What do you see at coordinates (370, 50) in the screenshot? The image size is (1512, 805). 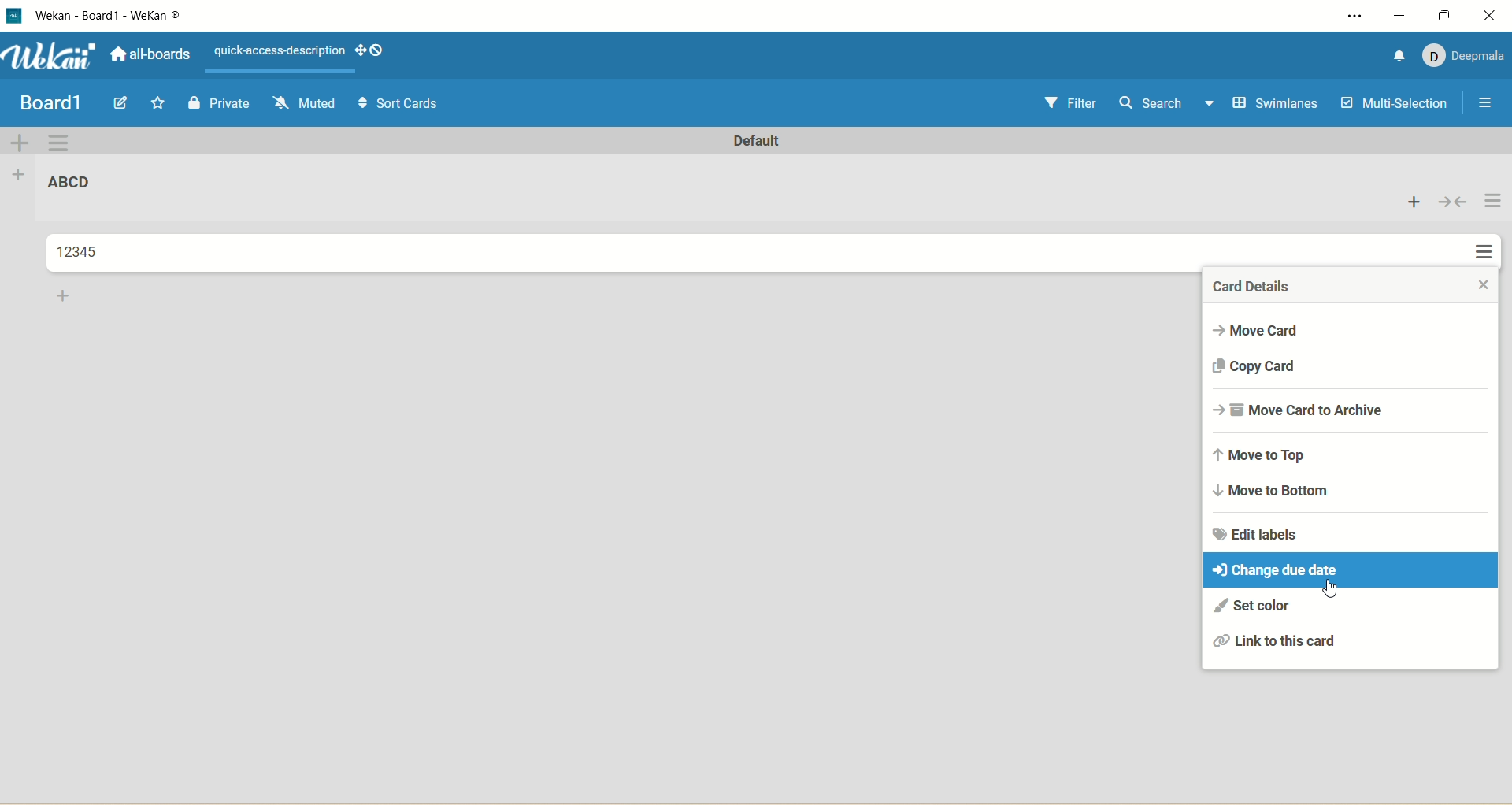 I see `show-desktop-drag-` at bounding box center [370, 50].